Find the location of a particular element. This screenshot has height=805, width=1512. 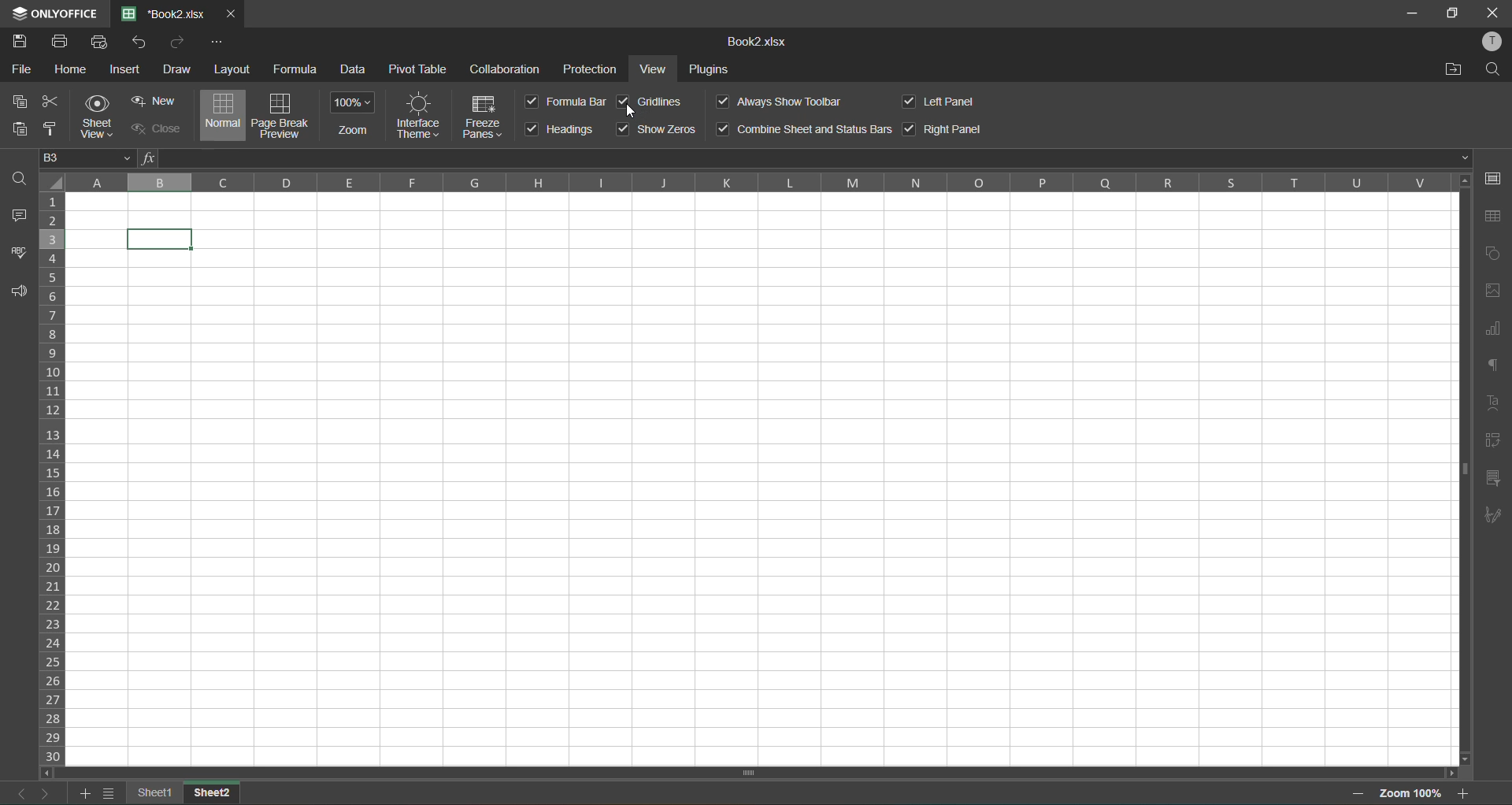

close is located at coordinates (1492, 13).